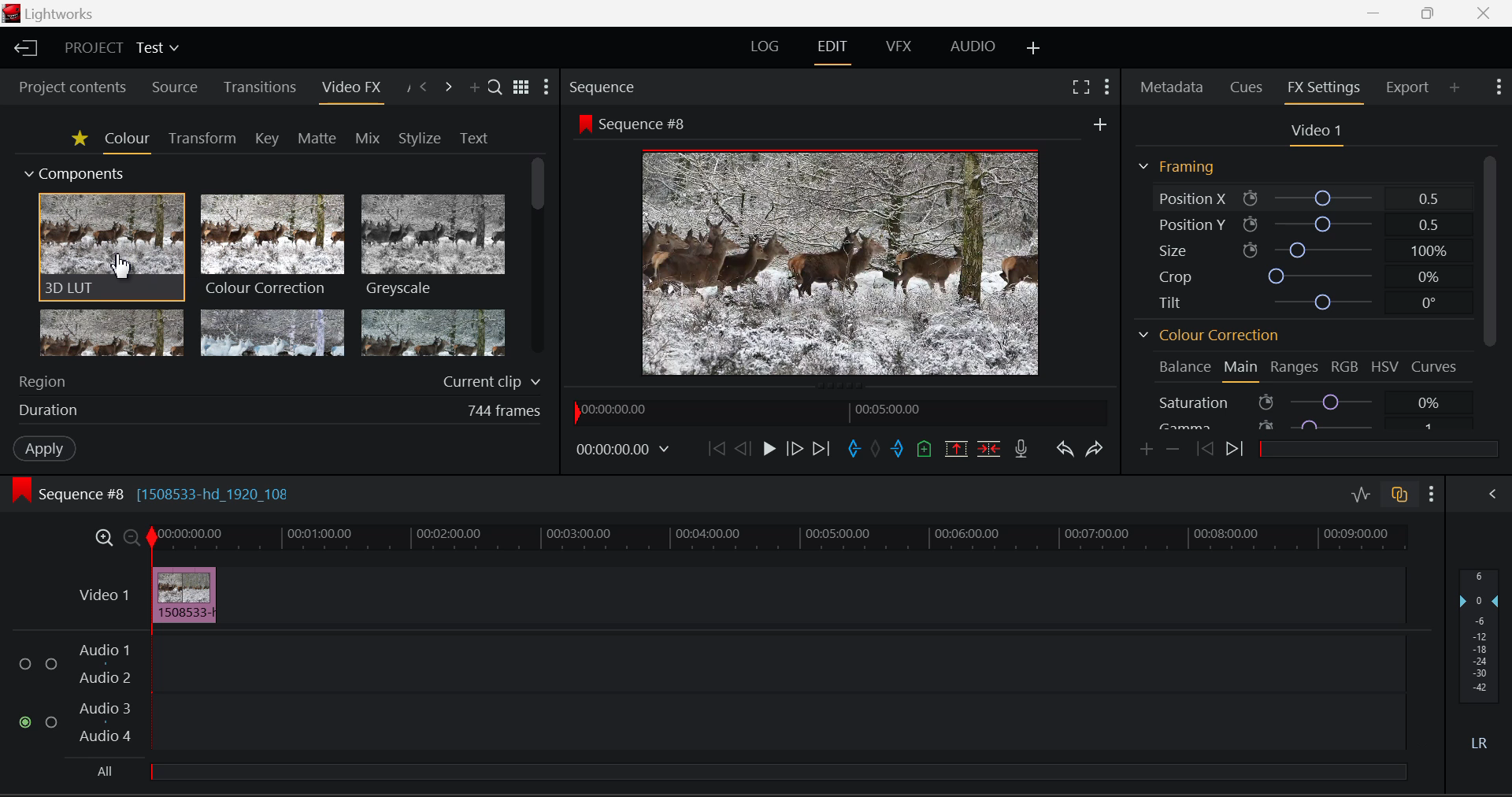 The width and height of the screenshot is (1512, 797). I want to click on Video Layer, so click(103, 595).